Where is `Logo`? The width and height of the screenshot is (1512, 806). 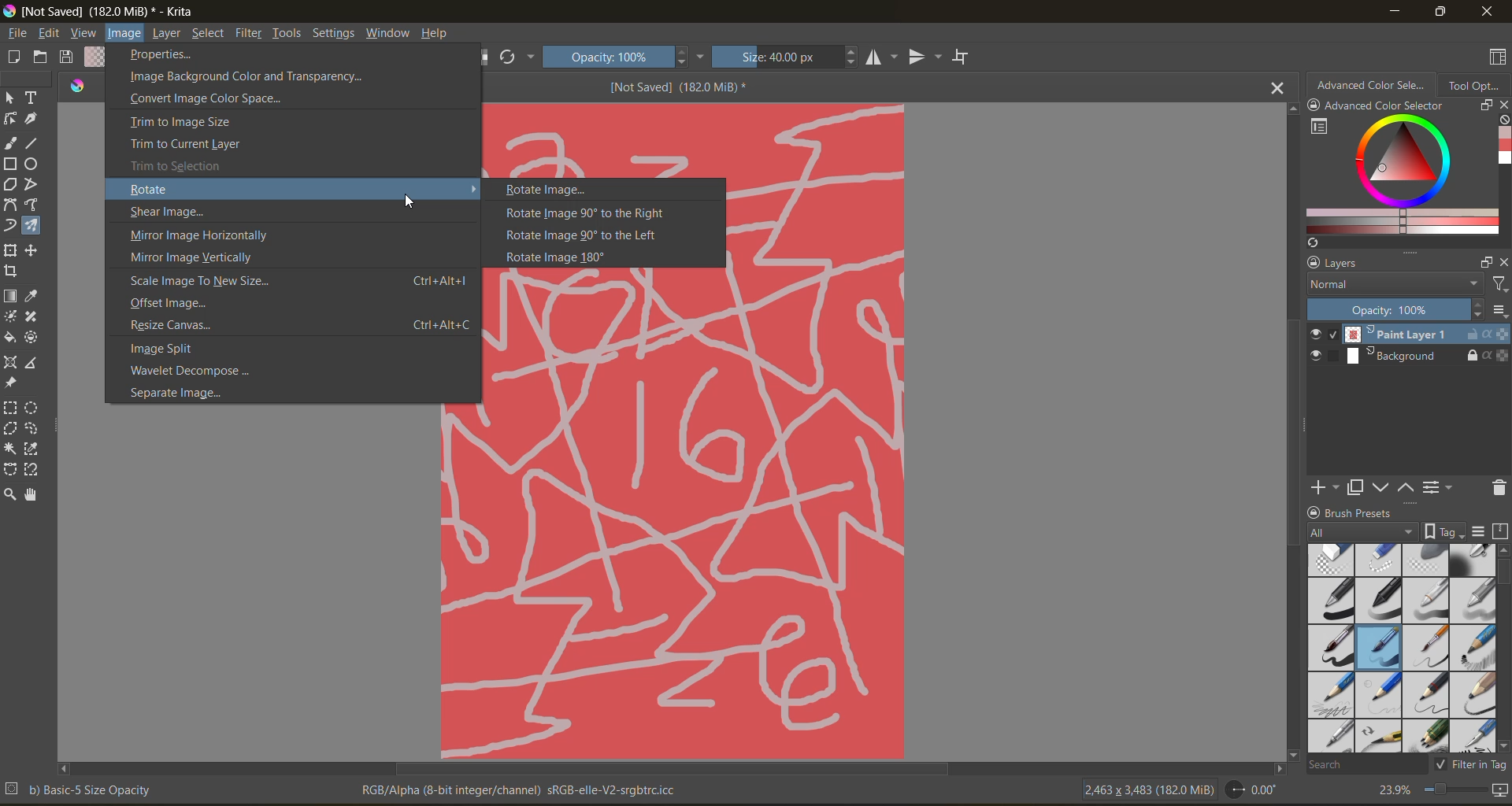
Logo is located at coordinates (79, 87).